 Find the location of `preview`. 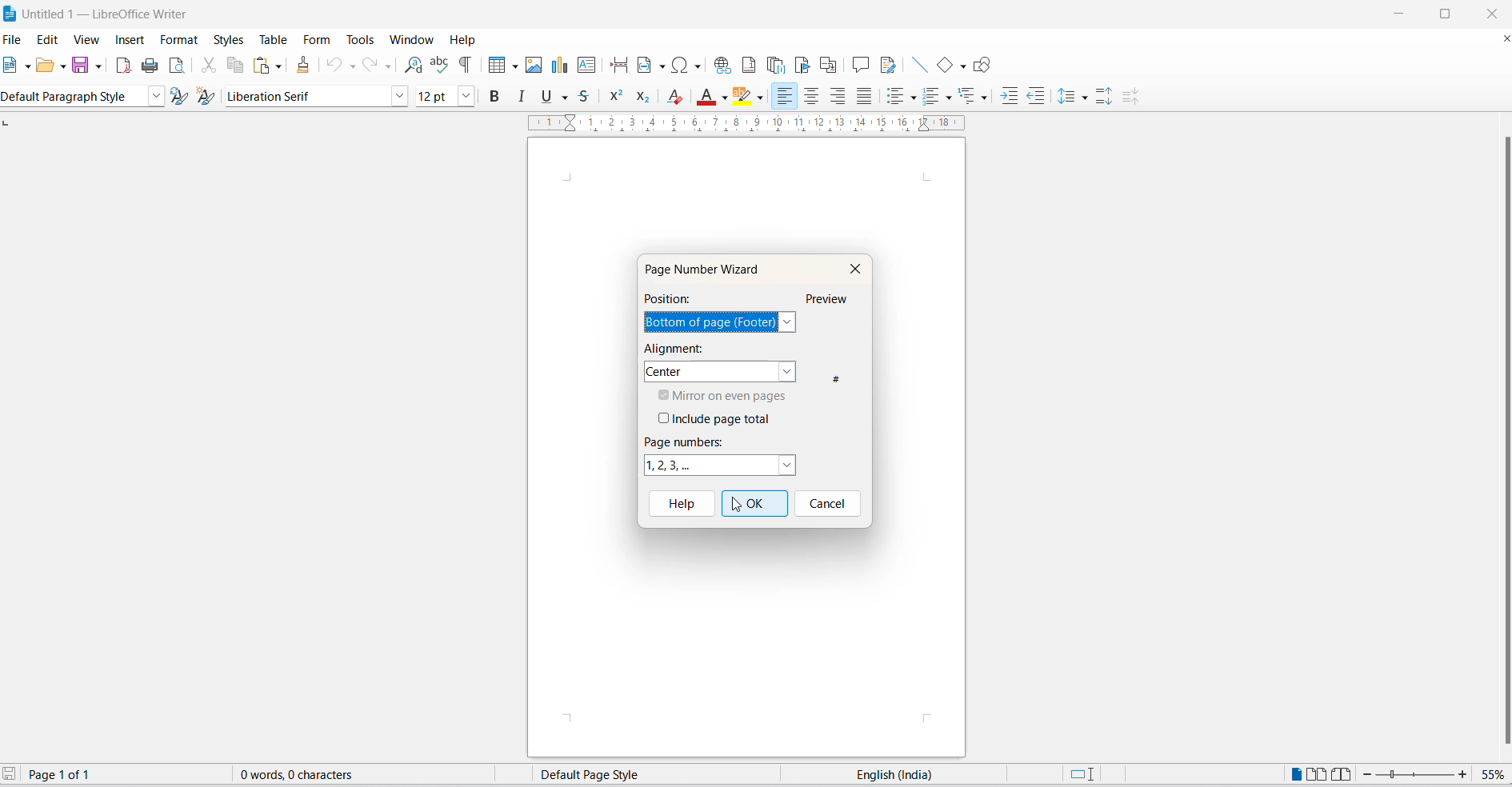

preview is located at coordinates (828, 298).